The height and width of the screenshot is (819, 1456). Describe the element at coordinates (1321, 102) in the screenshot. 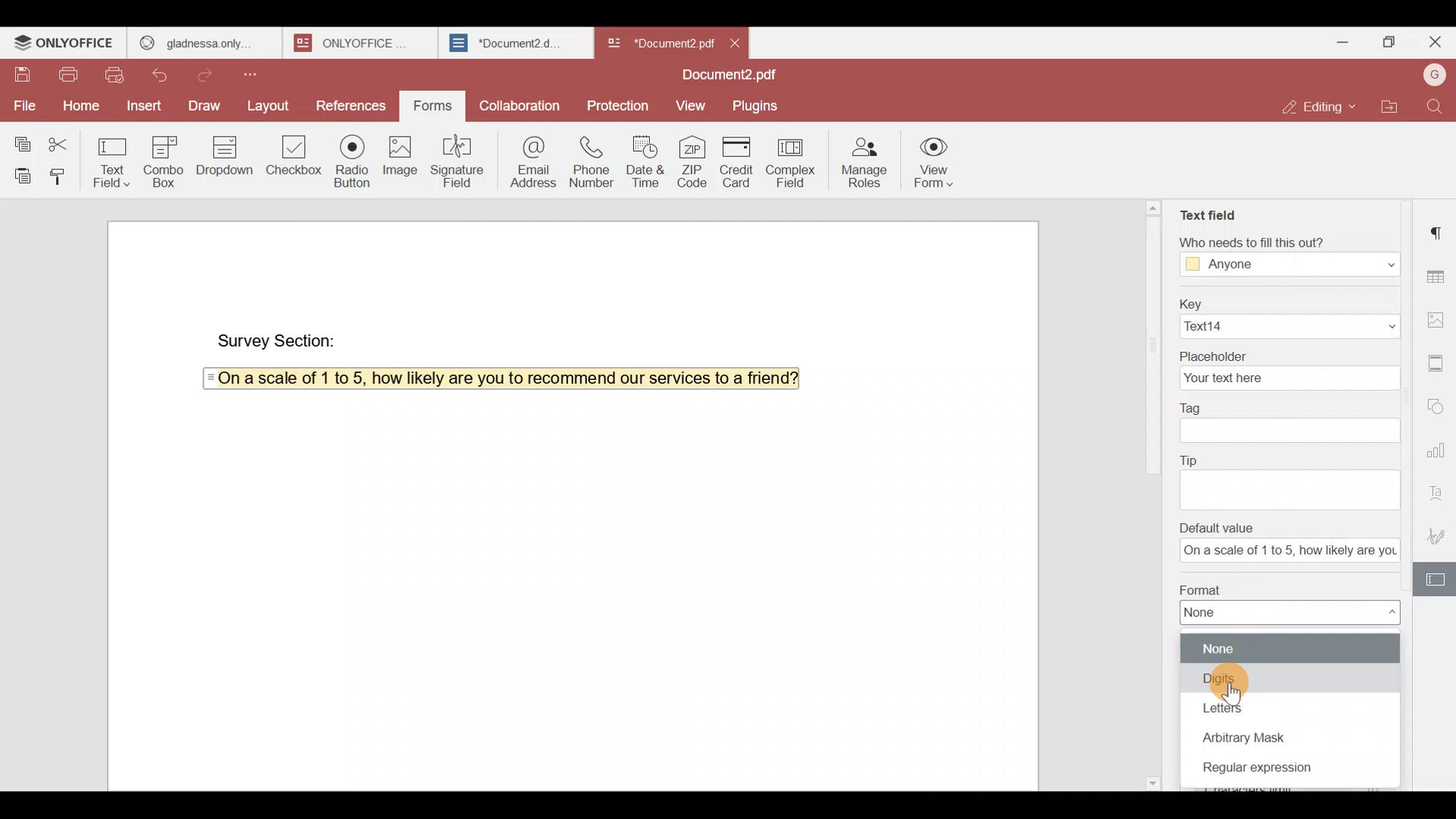

I see `Editing mode` at that location.